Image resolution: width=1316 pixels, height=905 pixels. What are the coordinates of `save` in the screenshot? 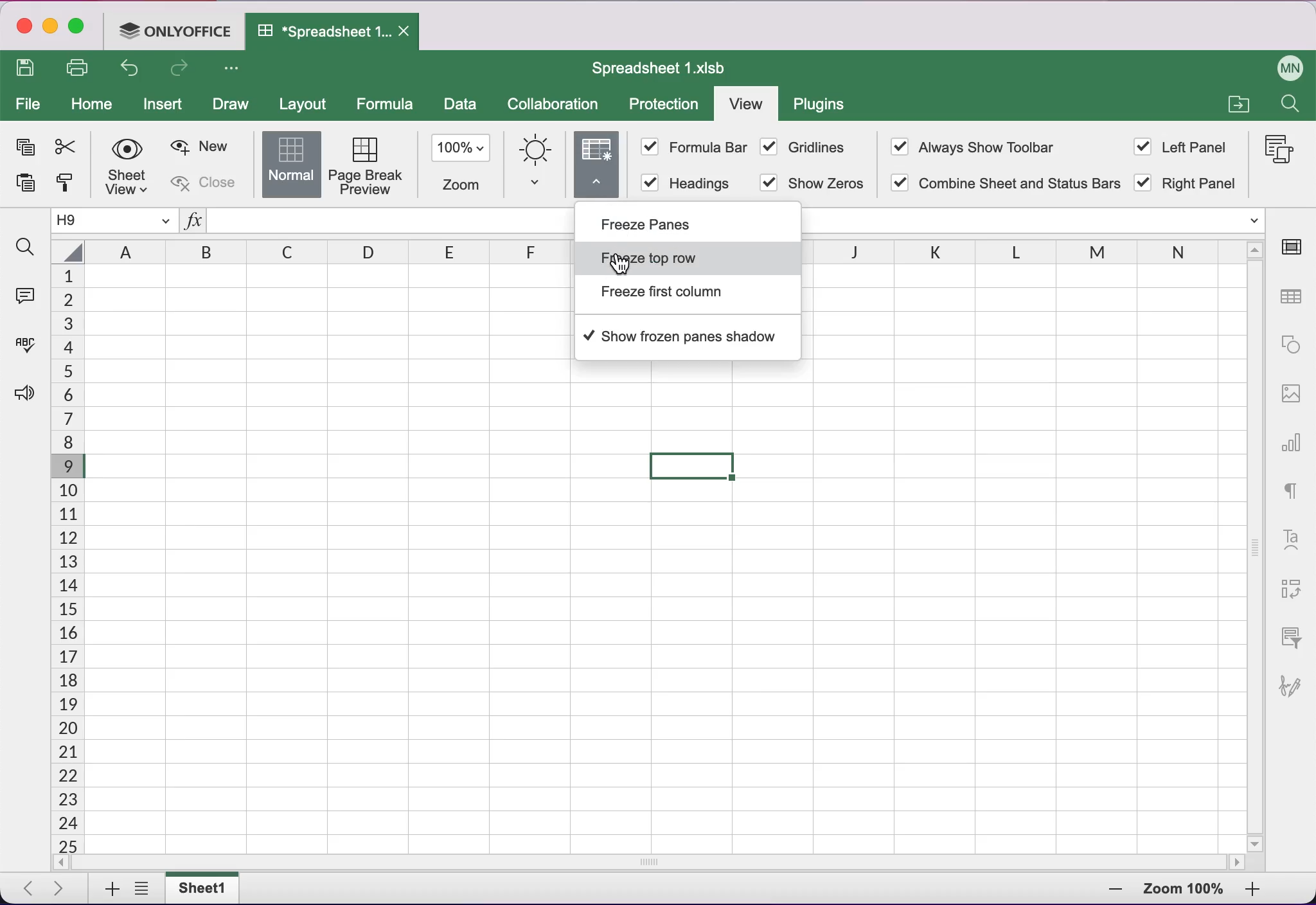 It's located at (29, 68).